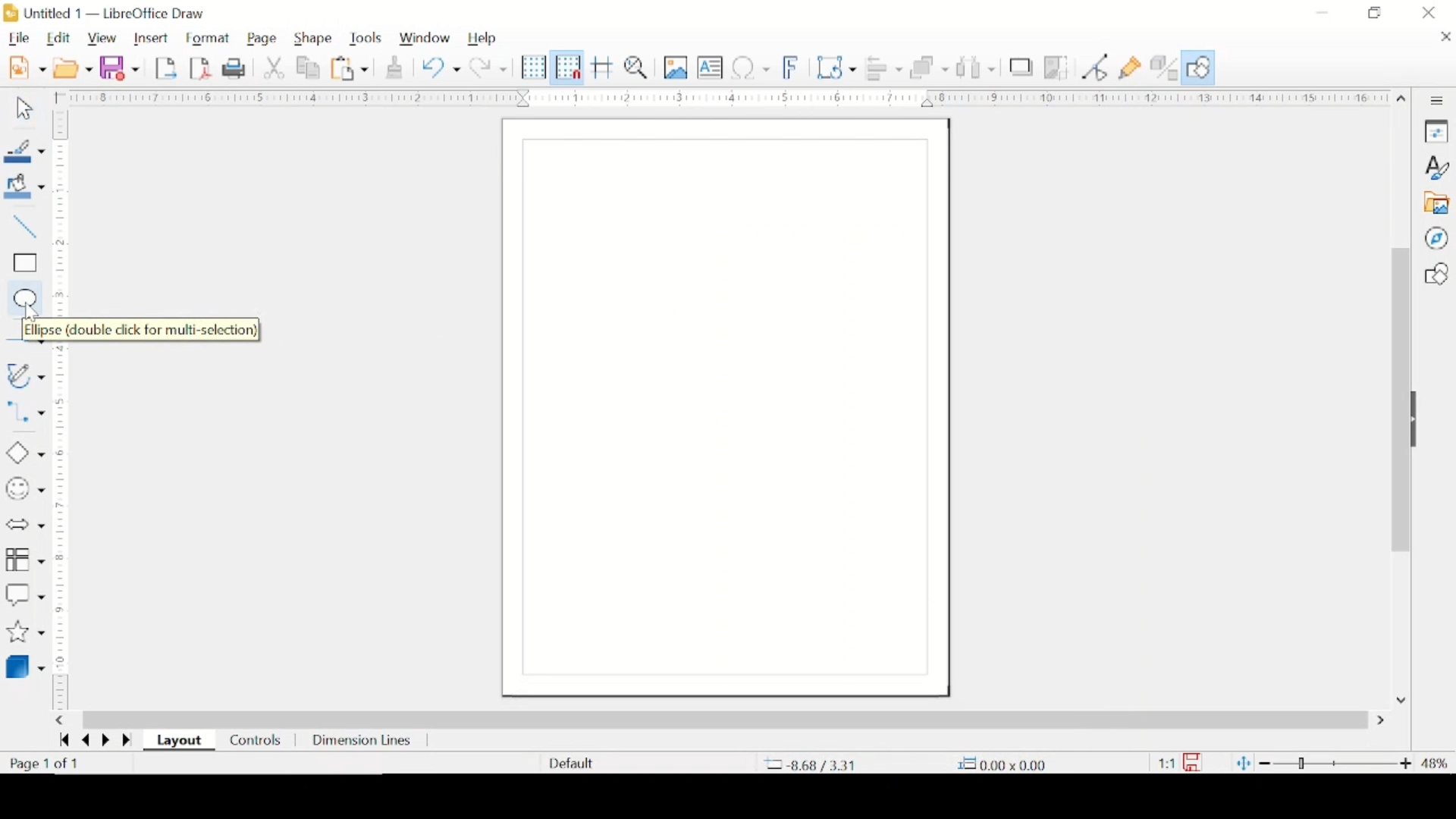 The image size is (1456, 819). Describe the element at coordinates (22, 297) in the screenshot. I see `ellipse` at that location.